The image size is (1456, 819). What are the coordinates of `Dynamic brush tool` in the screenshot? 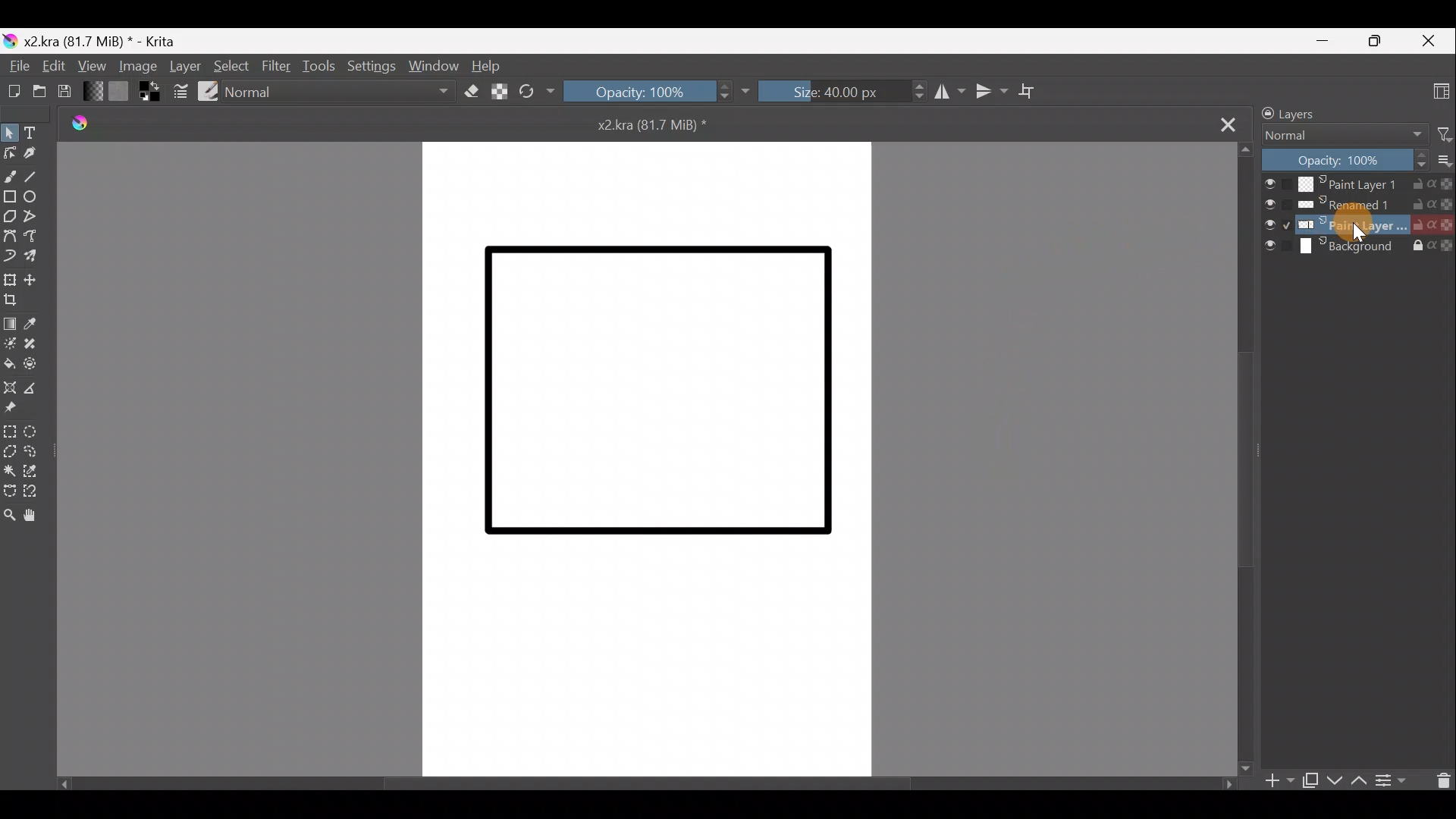 It's located at (10, 257).